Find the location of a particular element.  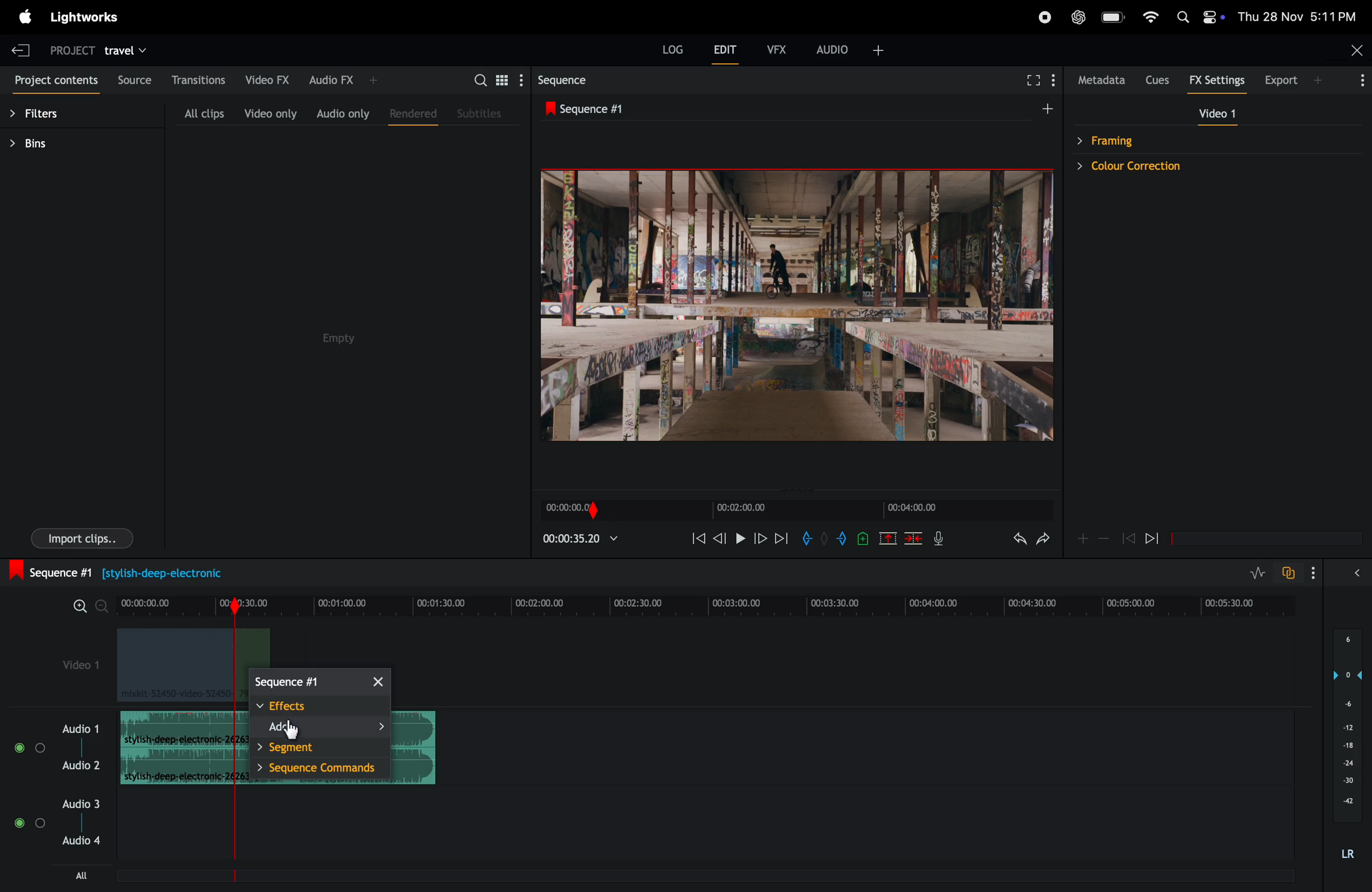

add is located at coordinates (323, 729).